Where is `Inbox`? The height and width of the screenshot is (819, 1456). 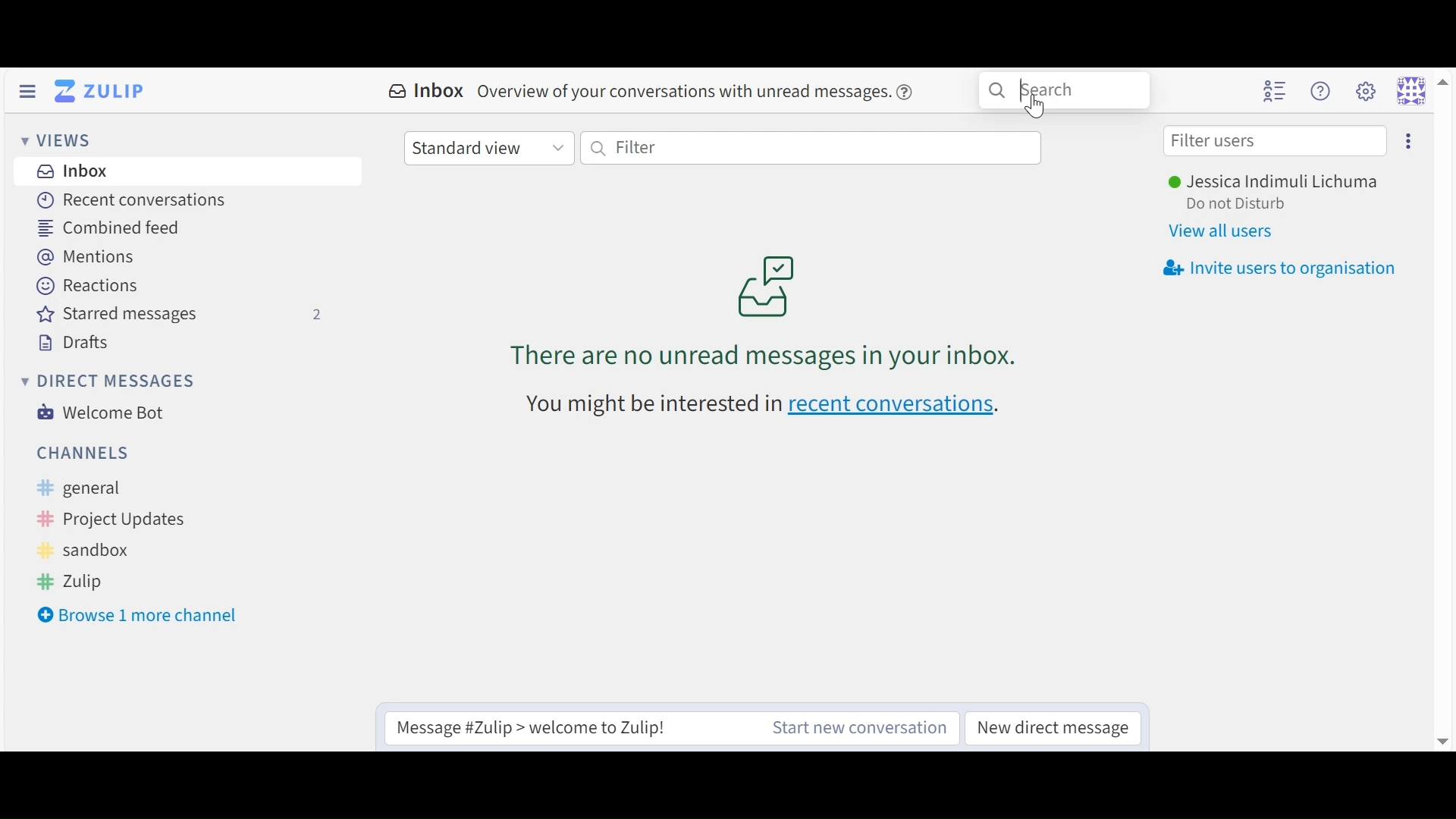 Inbox is located at coordinates (71, 170).